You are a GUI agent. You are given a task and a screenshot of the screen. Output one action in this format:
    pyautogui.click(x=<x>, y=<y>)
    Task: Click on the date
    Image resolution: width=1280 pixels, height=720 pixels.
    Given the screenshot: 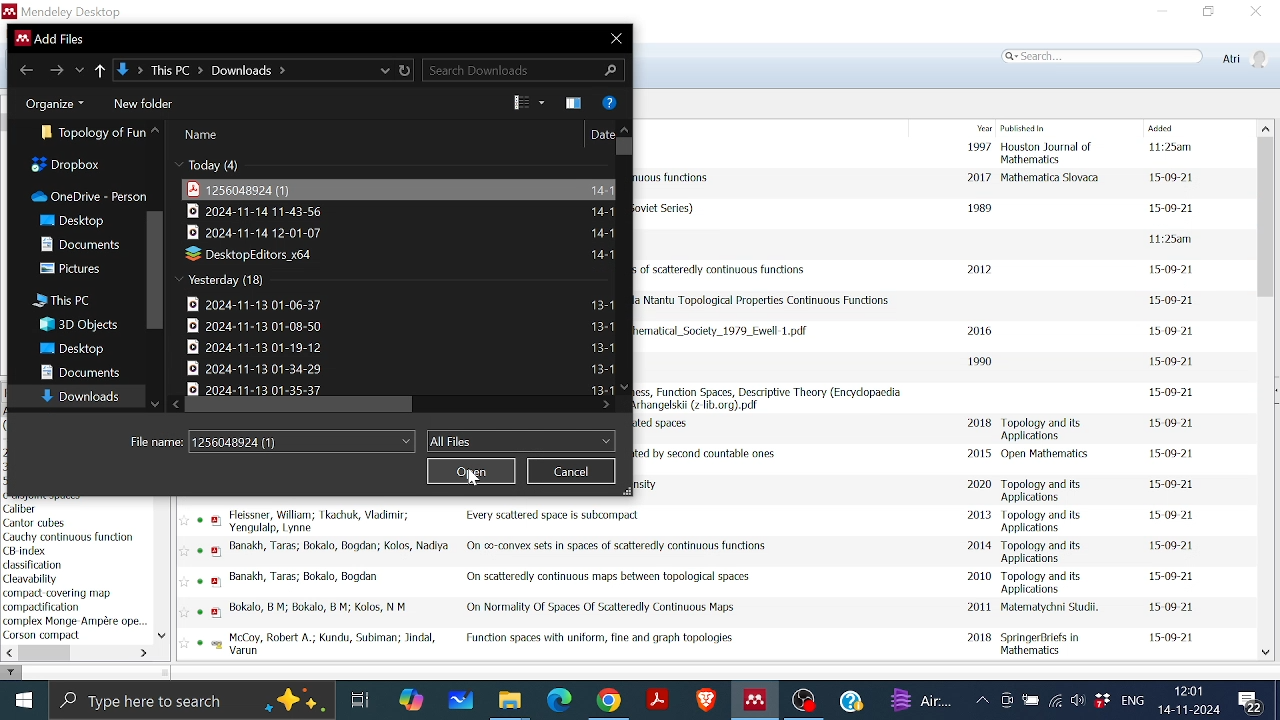 What is the action you would take?
    pyautogui.click(x=1170, y=240)
    